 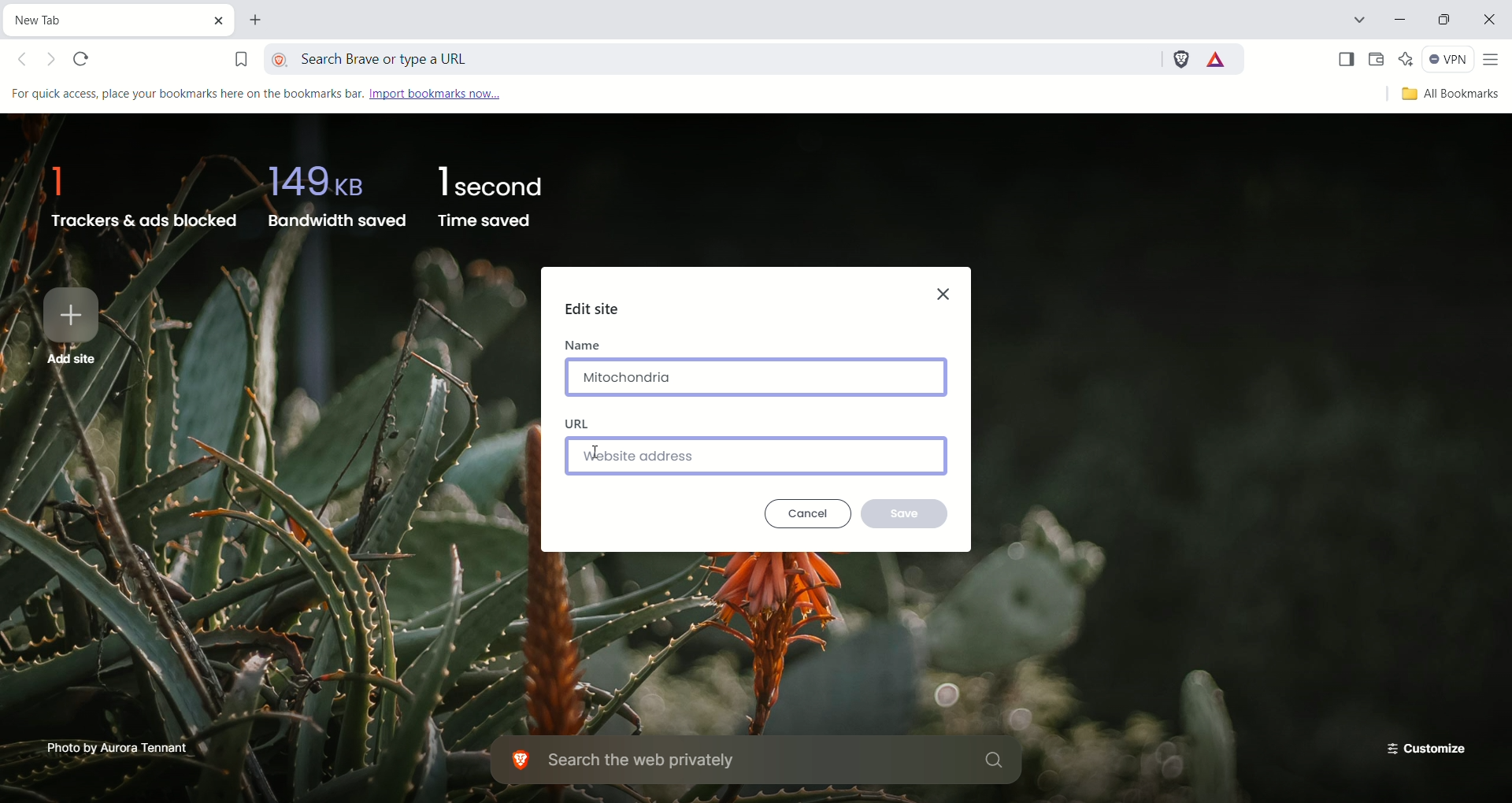 I want to click on save, so click(x=906, y=515).